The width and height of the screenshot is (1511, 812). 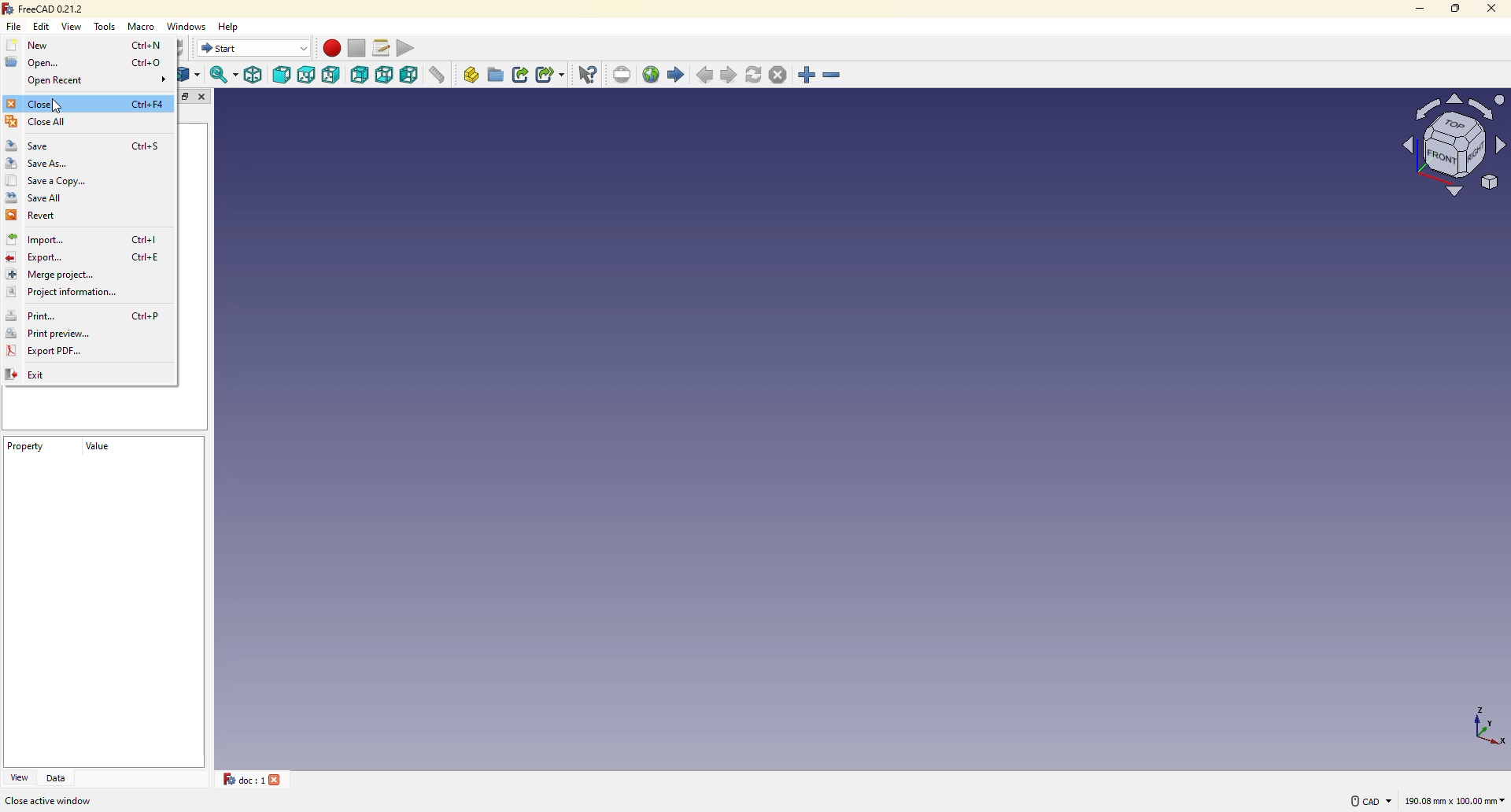 What do you see at coordinates (33, 45) in the screenshot?
I see `new` at bounding box center [33, 45].